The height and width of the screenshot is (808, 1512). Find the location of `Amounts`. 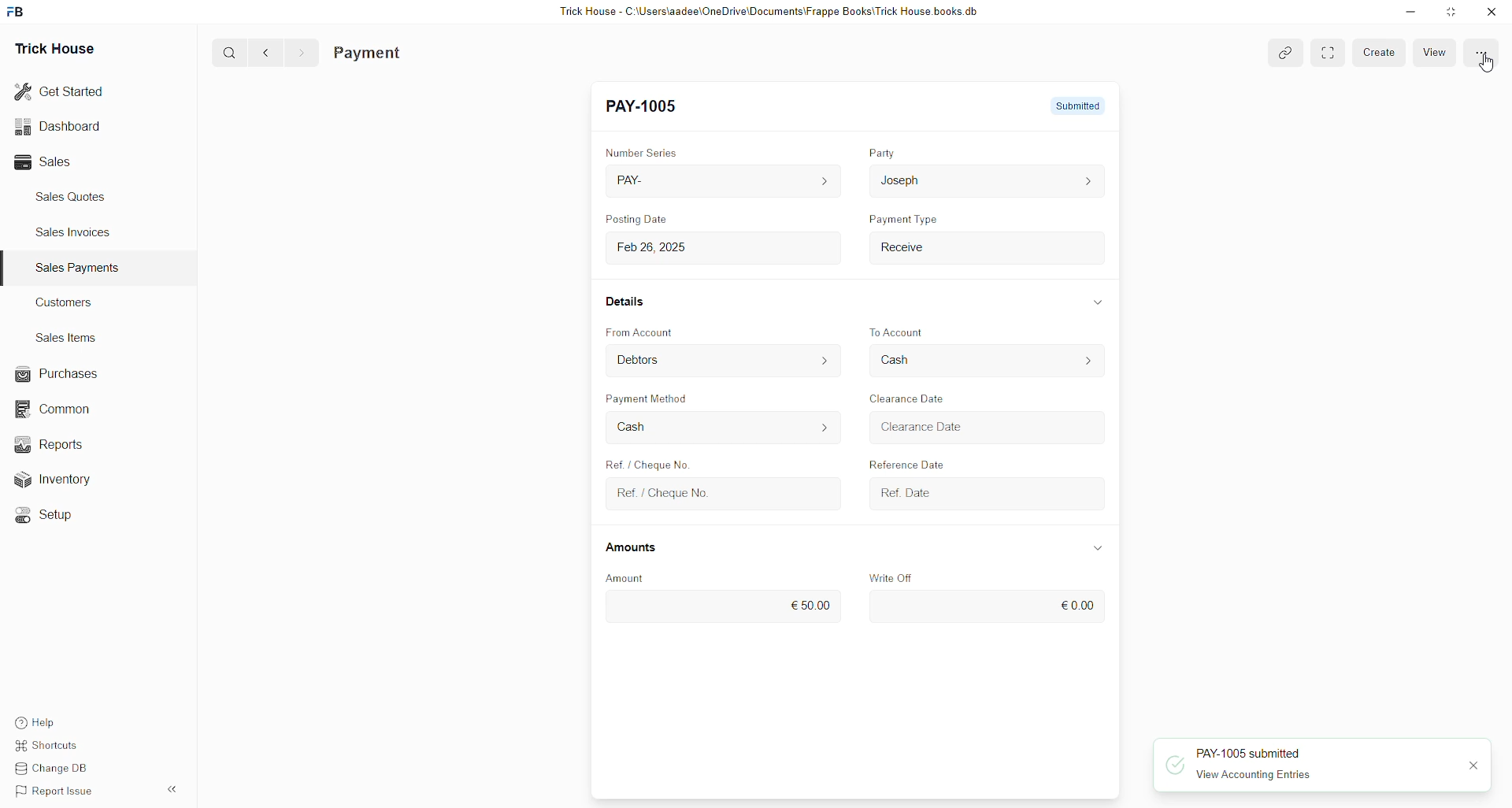

Amounts is located at coordinates (632, 548).